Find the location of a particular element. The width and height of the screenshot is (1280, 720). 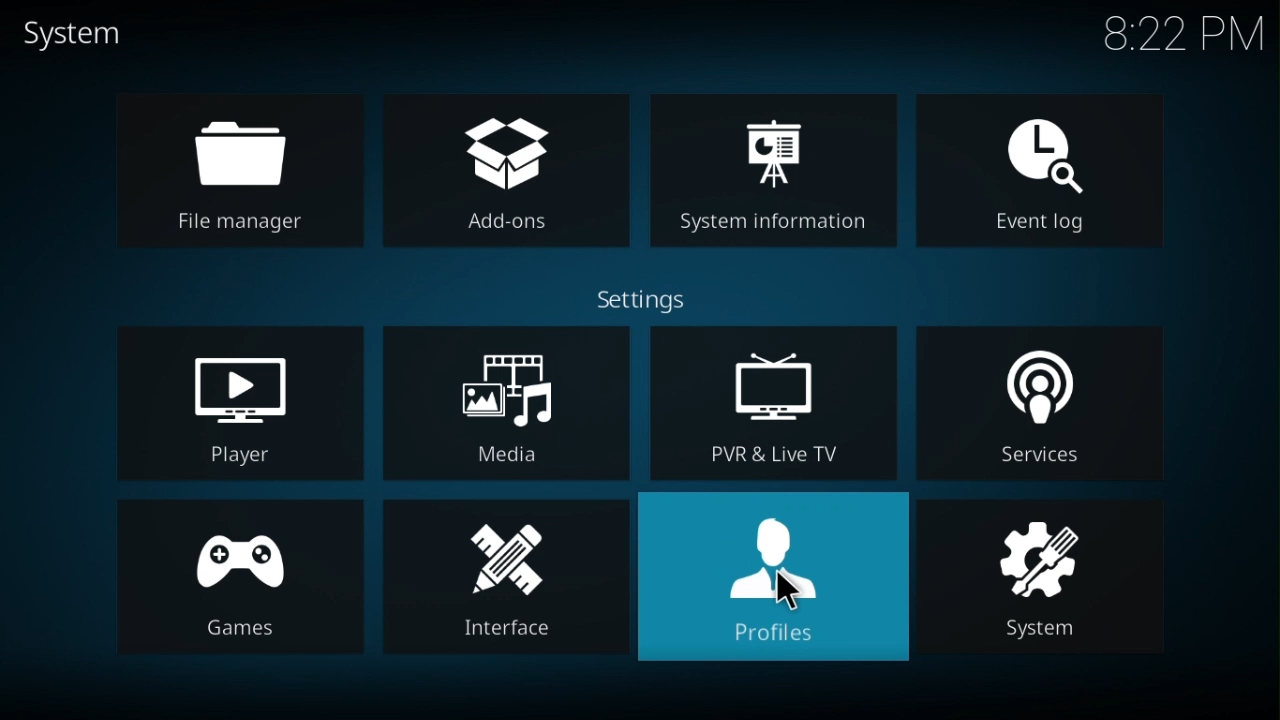

system is located at coordinates (1047, 576).